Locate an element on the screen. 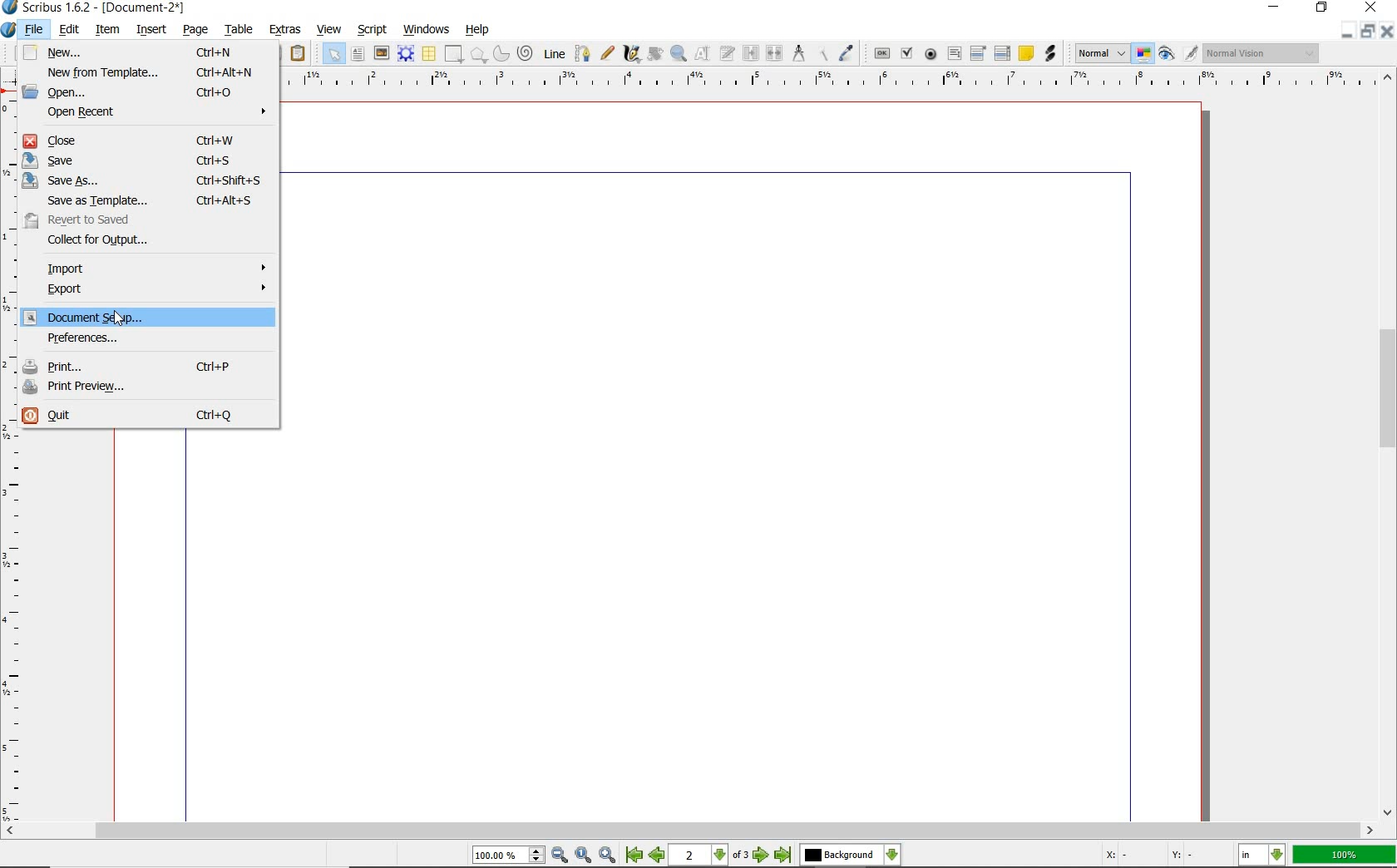 This screenshot has height=868, width=1397. script is located at coordinates (374, 29).